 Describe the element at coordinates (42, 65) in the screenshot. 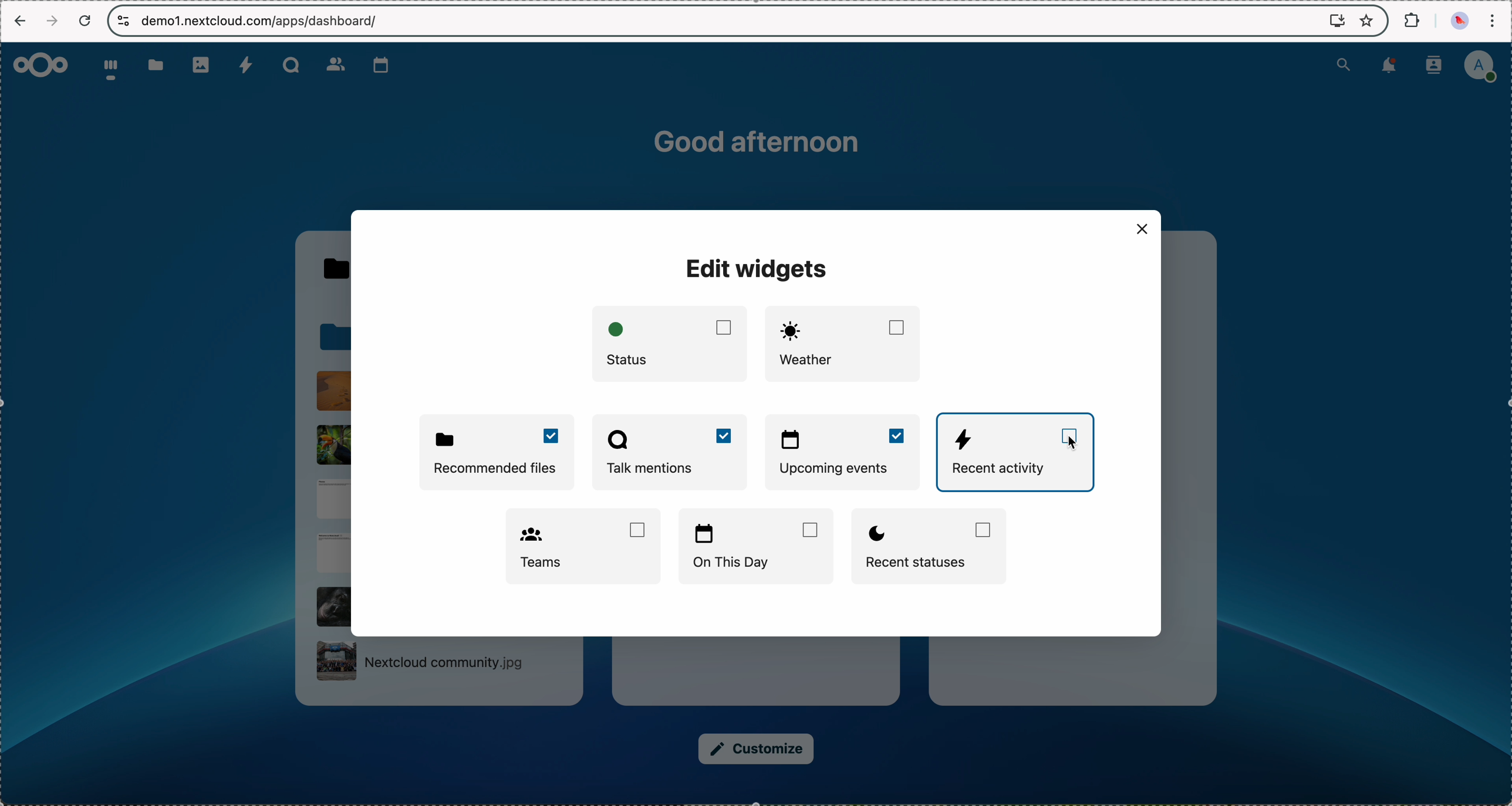

I see `Nextcloud` at that location.